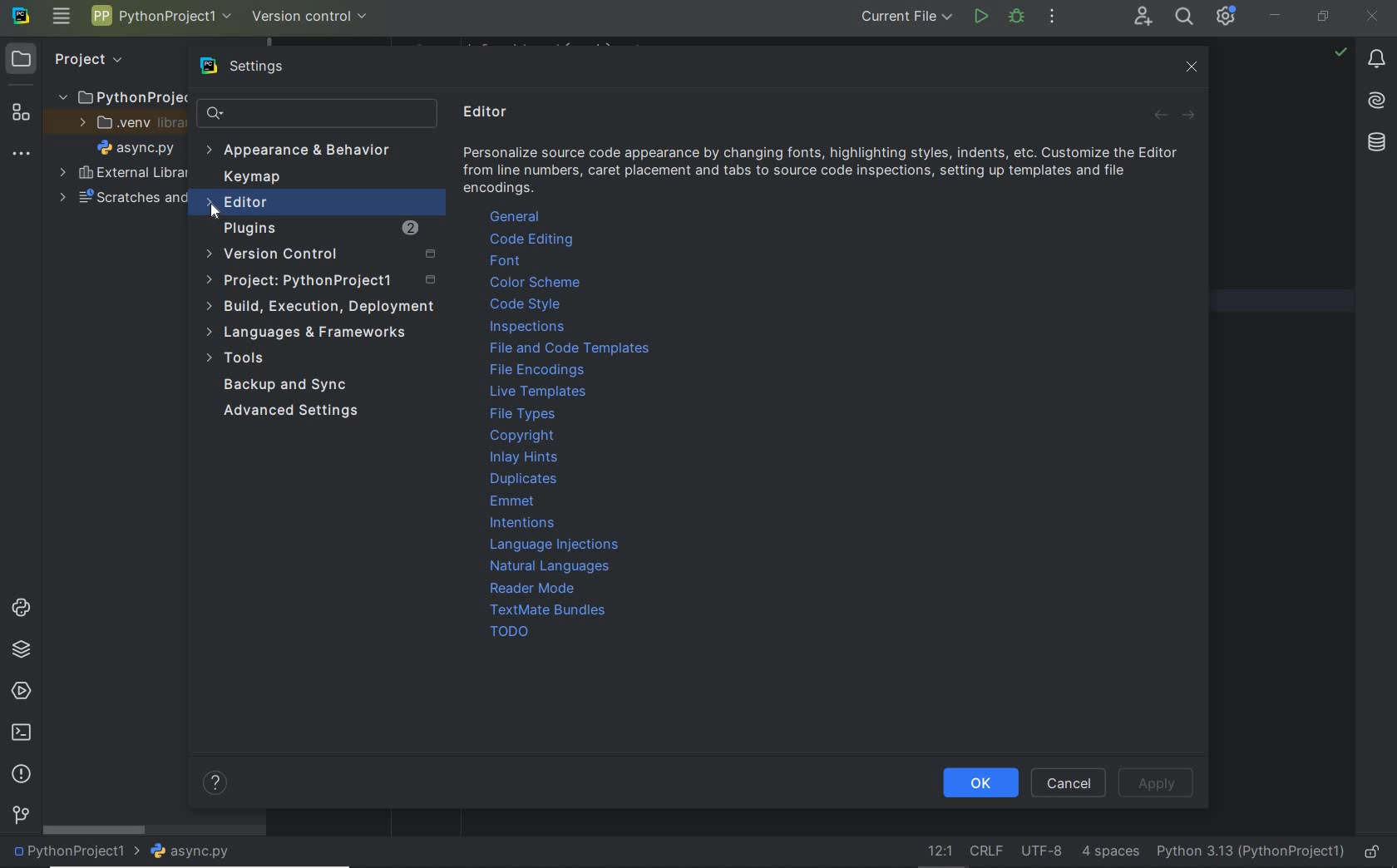 Image resolution: width=1397 pixels, height=868 pixels. Describe the element at coordinates (539, 372) in the screenshot. I see `file encodings` at that location.